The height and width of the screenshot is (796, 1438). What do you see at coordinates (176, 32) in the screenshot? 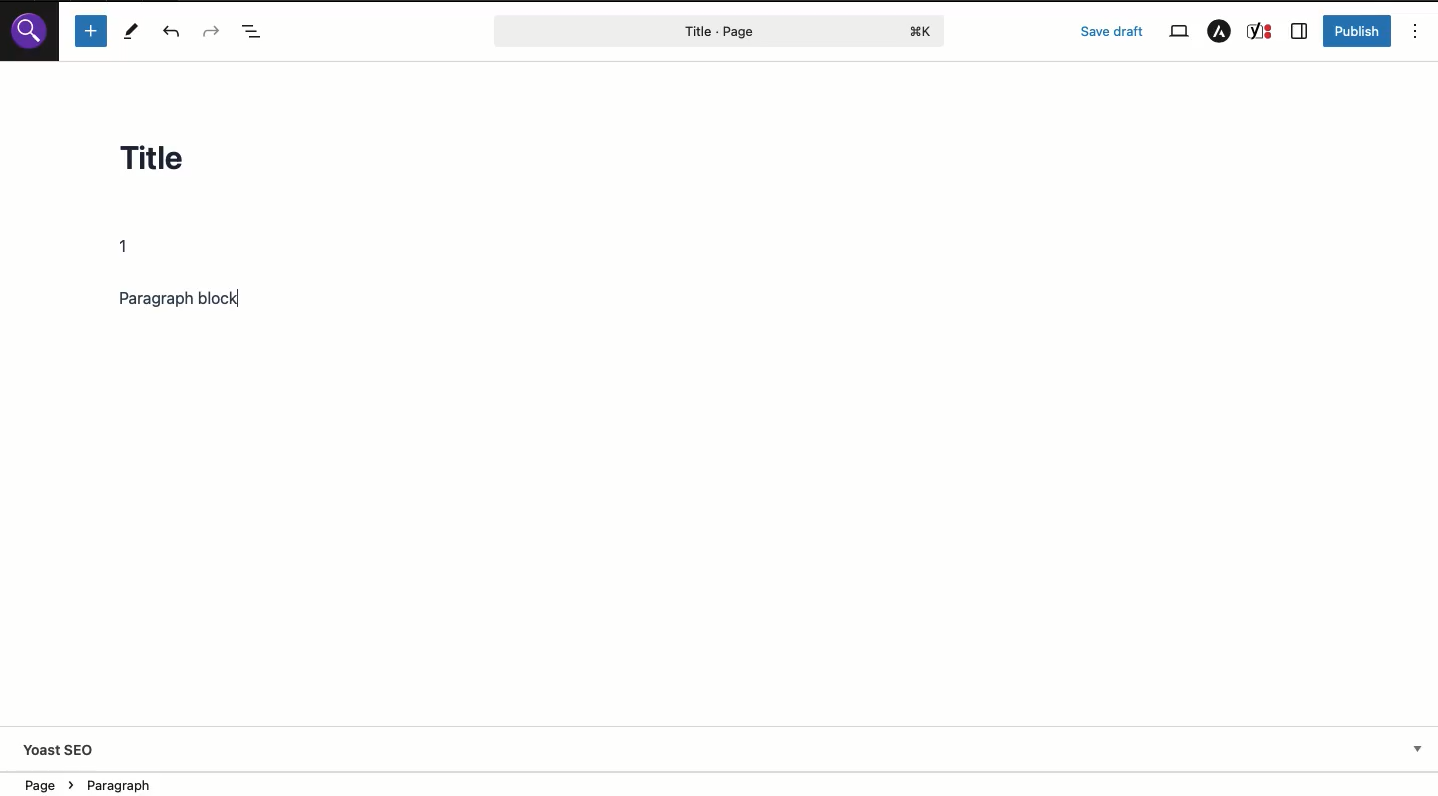
I see `Undo` at bounding box center [176, 32].